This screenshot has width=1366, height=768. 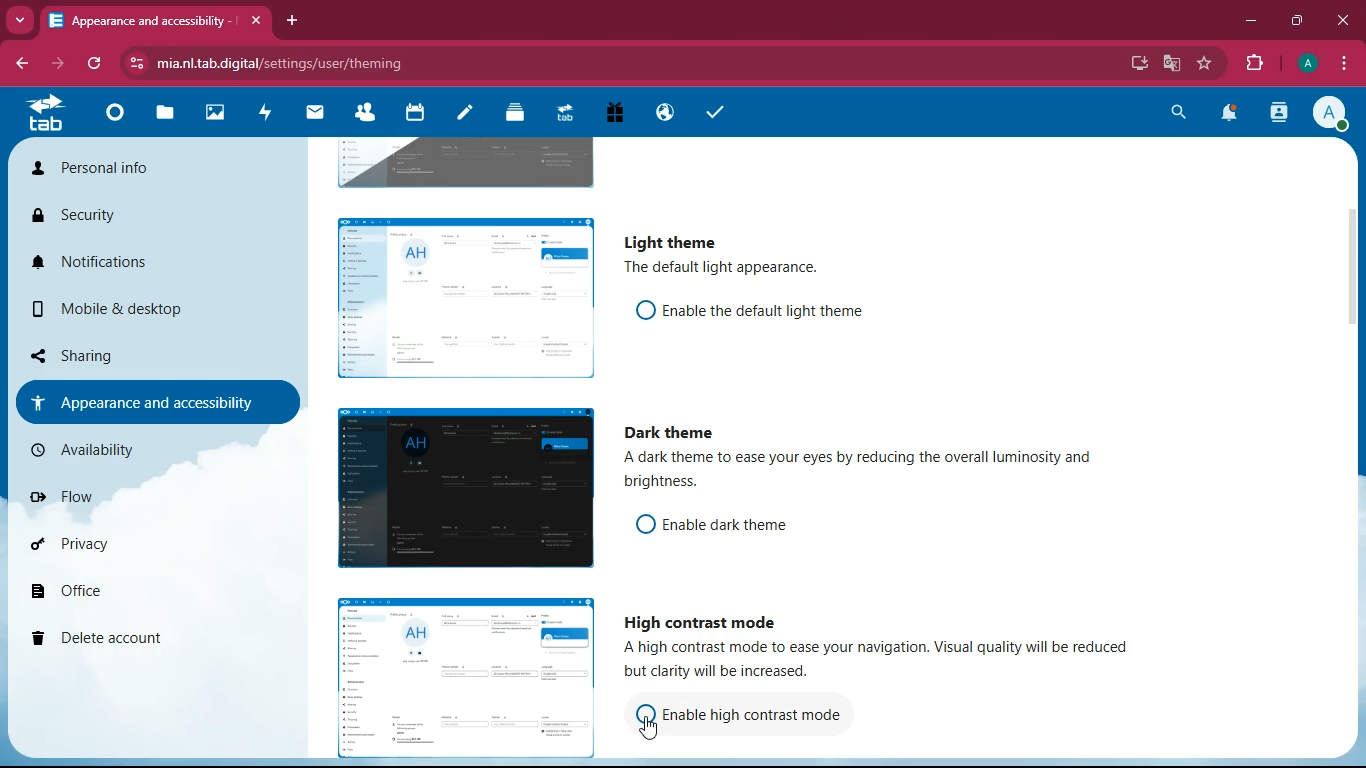 What do you see at coordinates (1253, 24) in the screenshot?
I see `minimize` at bounding box center [1253, 24].